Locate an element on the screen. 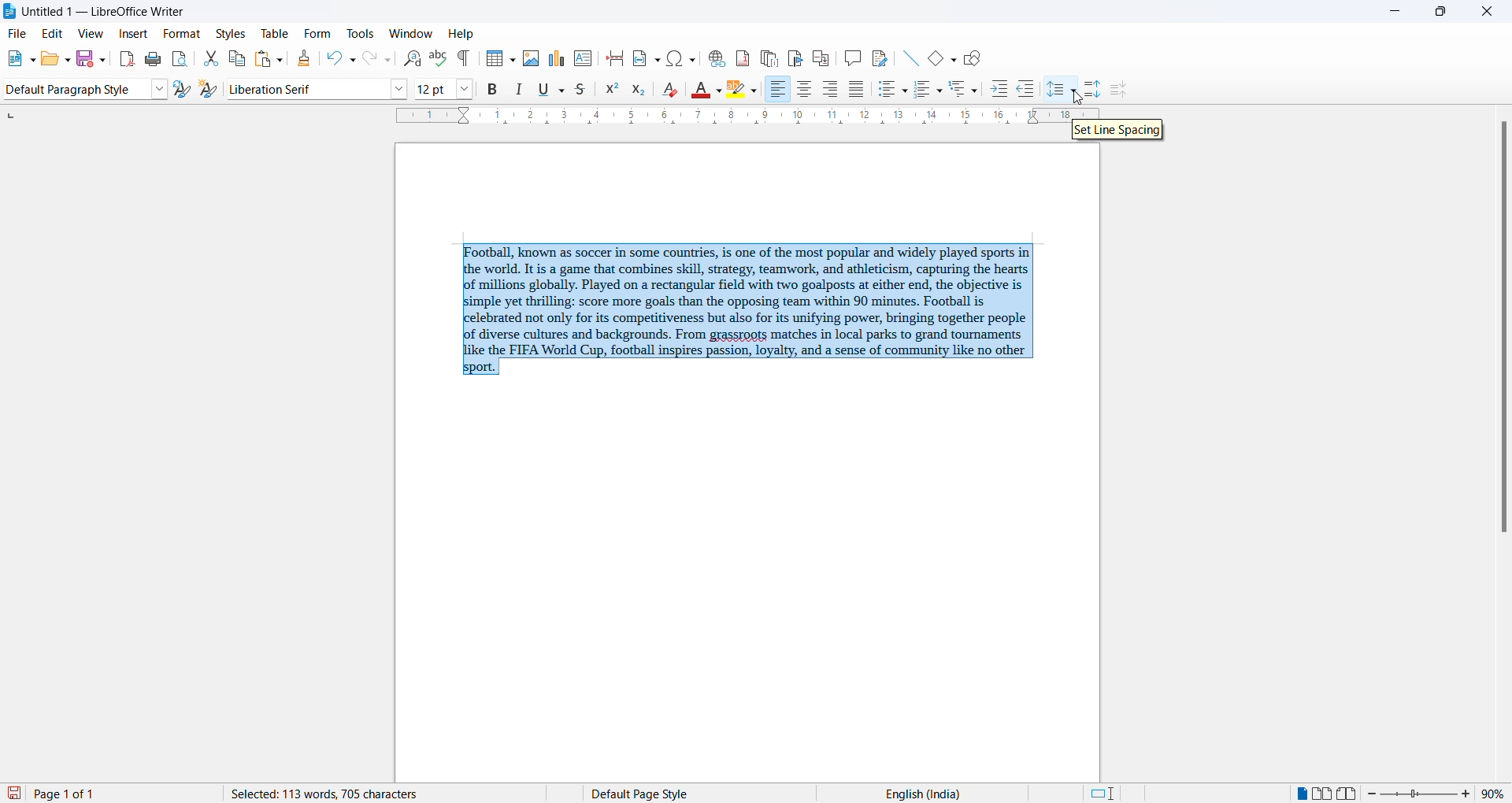  bold is located at coordinates (494, 89).